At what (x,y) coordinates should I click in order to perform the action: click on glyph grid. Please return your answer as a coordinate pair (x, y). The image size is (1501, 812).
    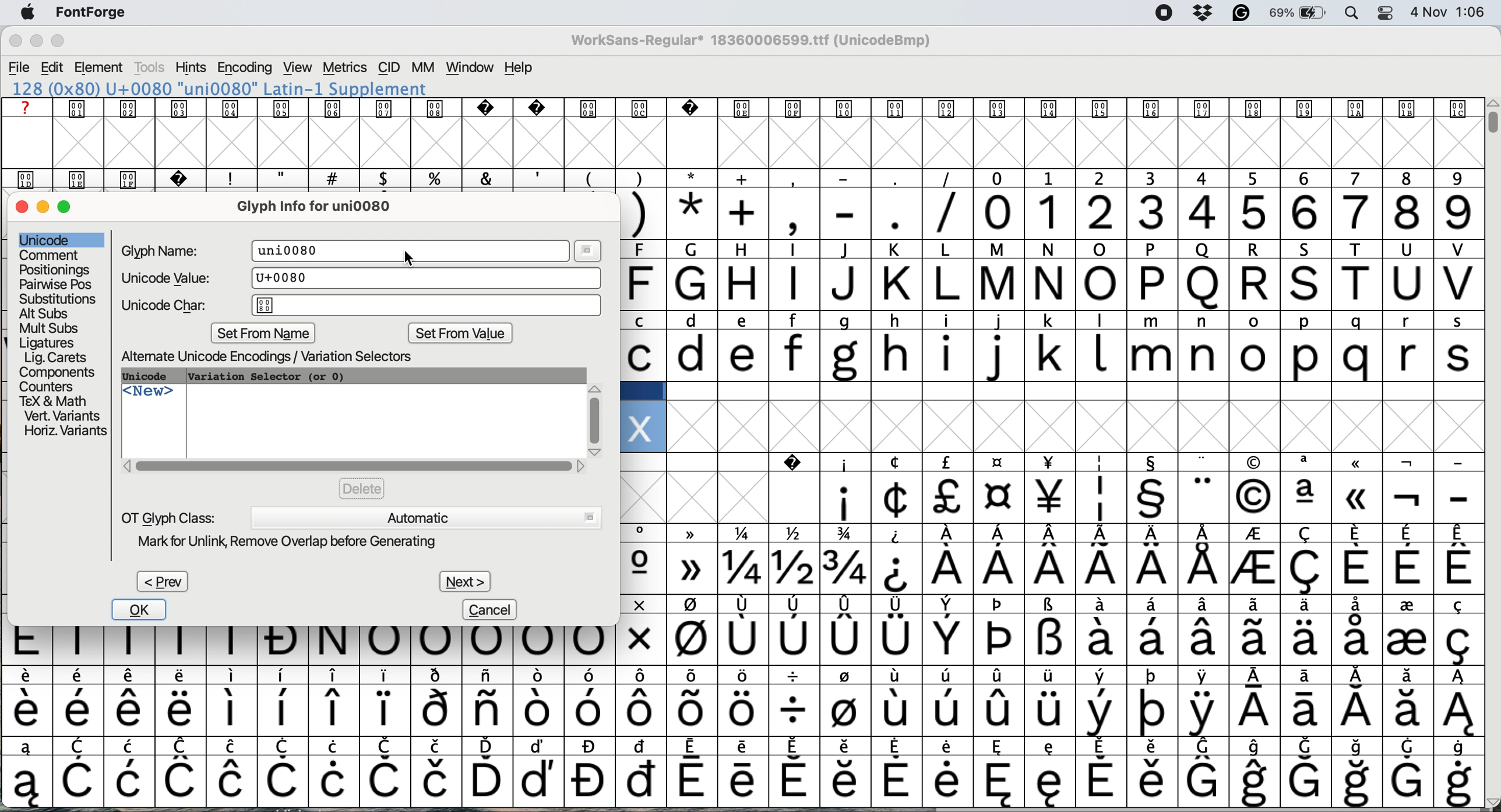
    Looking at the image, I should click on (1085, 428).